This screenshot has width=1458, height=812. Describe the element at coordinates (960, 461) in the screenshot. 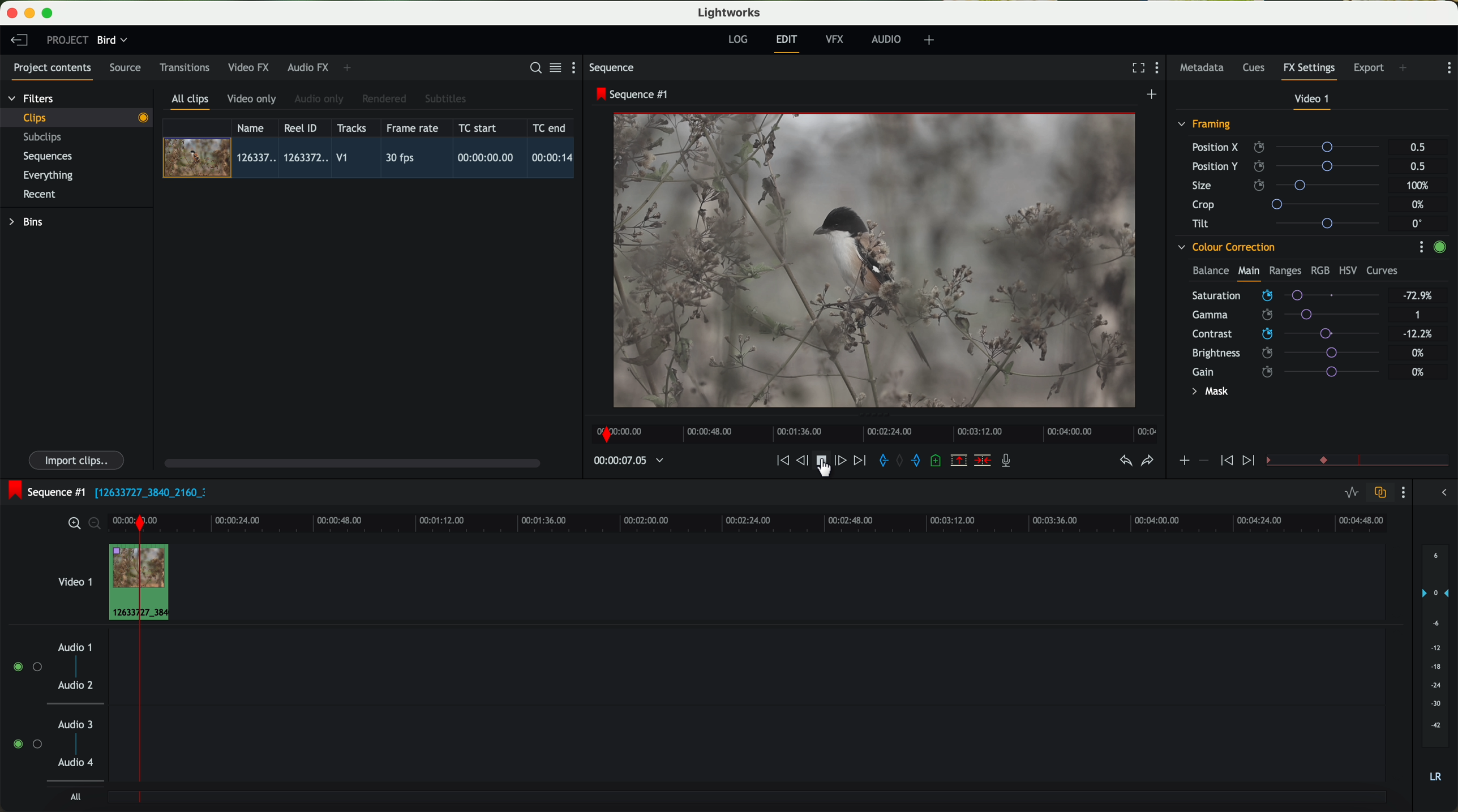

I see `remove the marked section` at that location.